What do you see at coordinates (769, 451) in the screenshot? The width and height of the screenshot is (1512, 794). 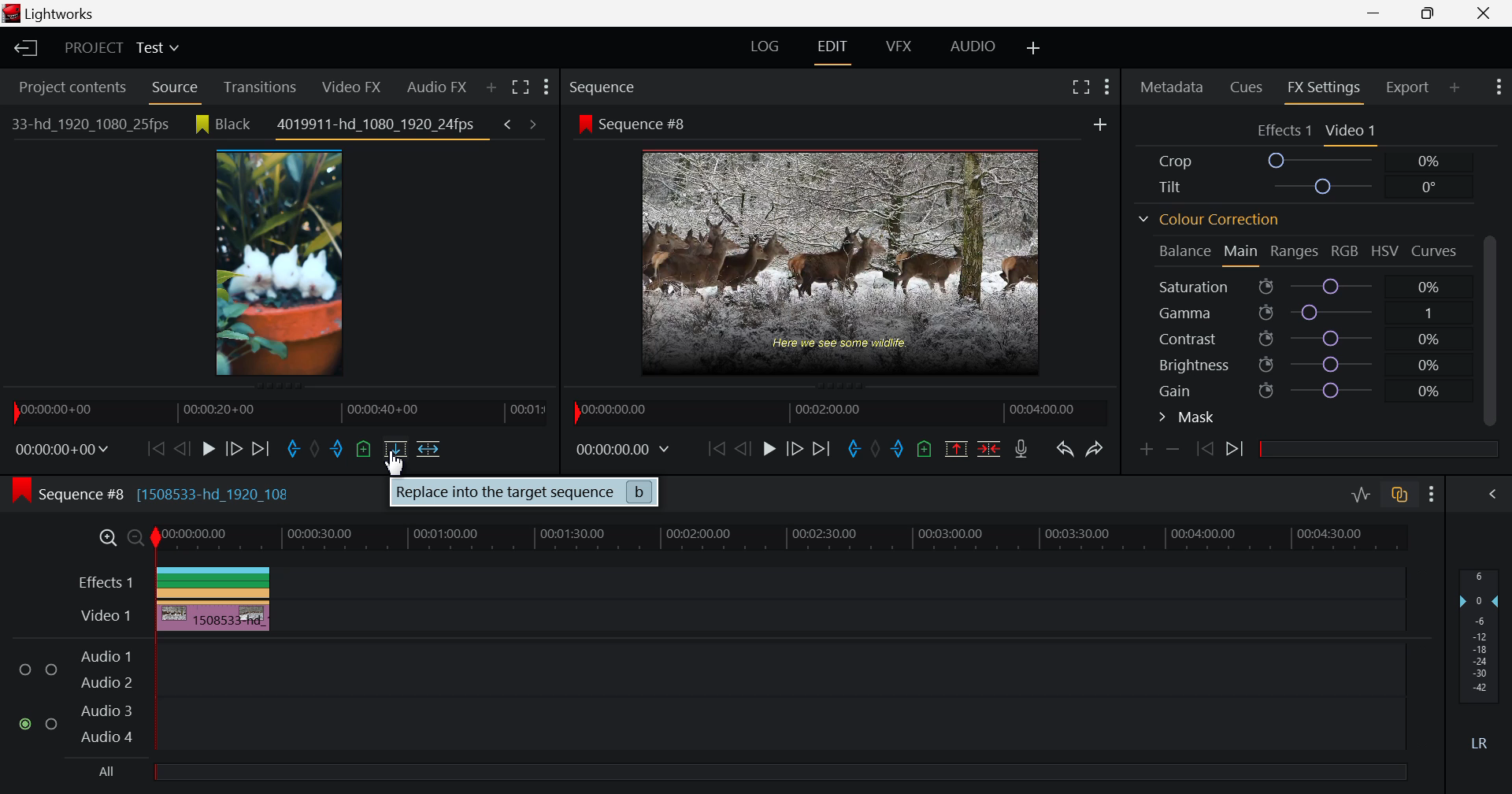 I see `Play` at bounding box center [769, 451].